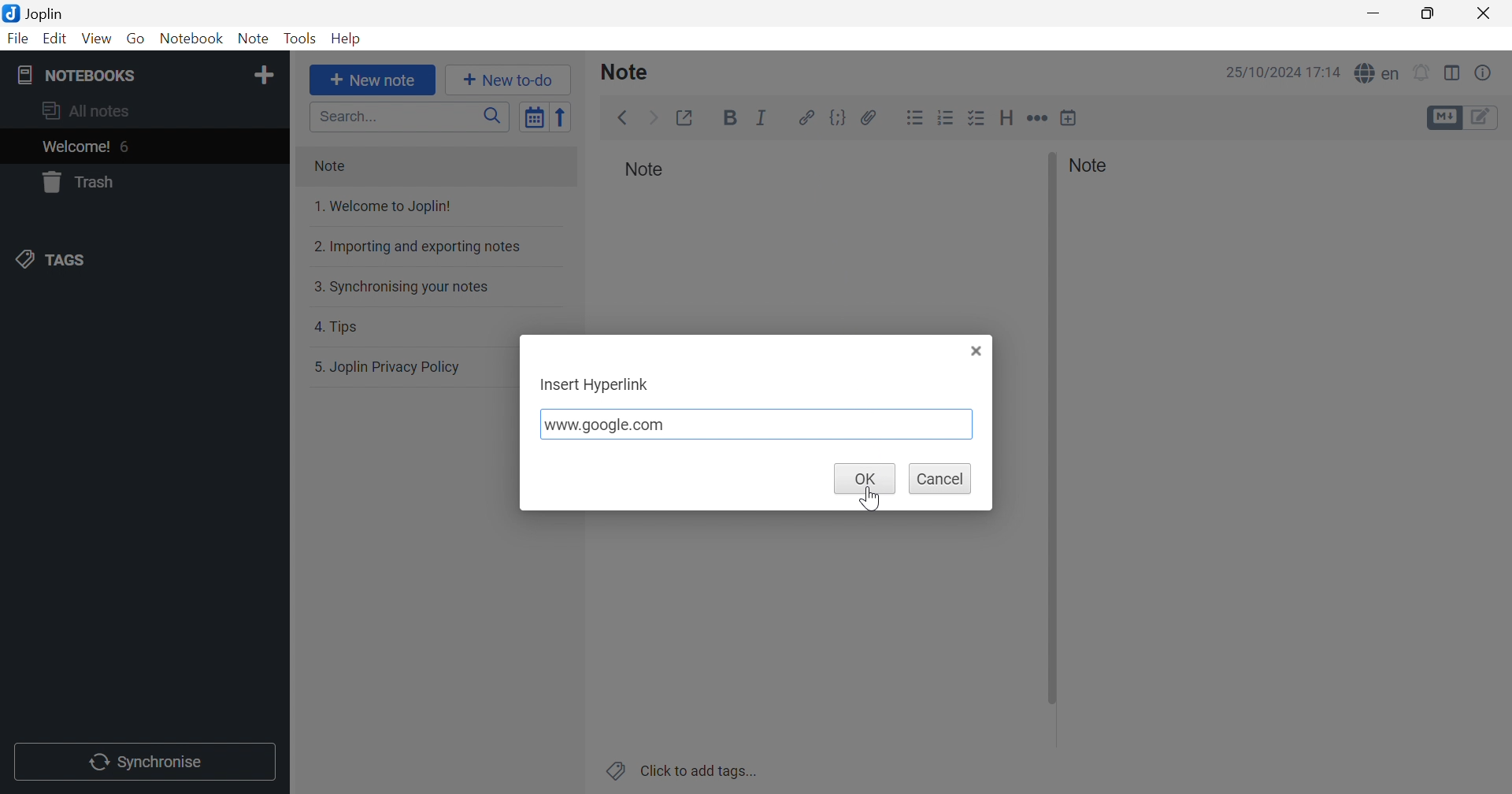  Describe the element at coordinates (411, 116) in the screenshot. I see `Search bar` at that location.